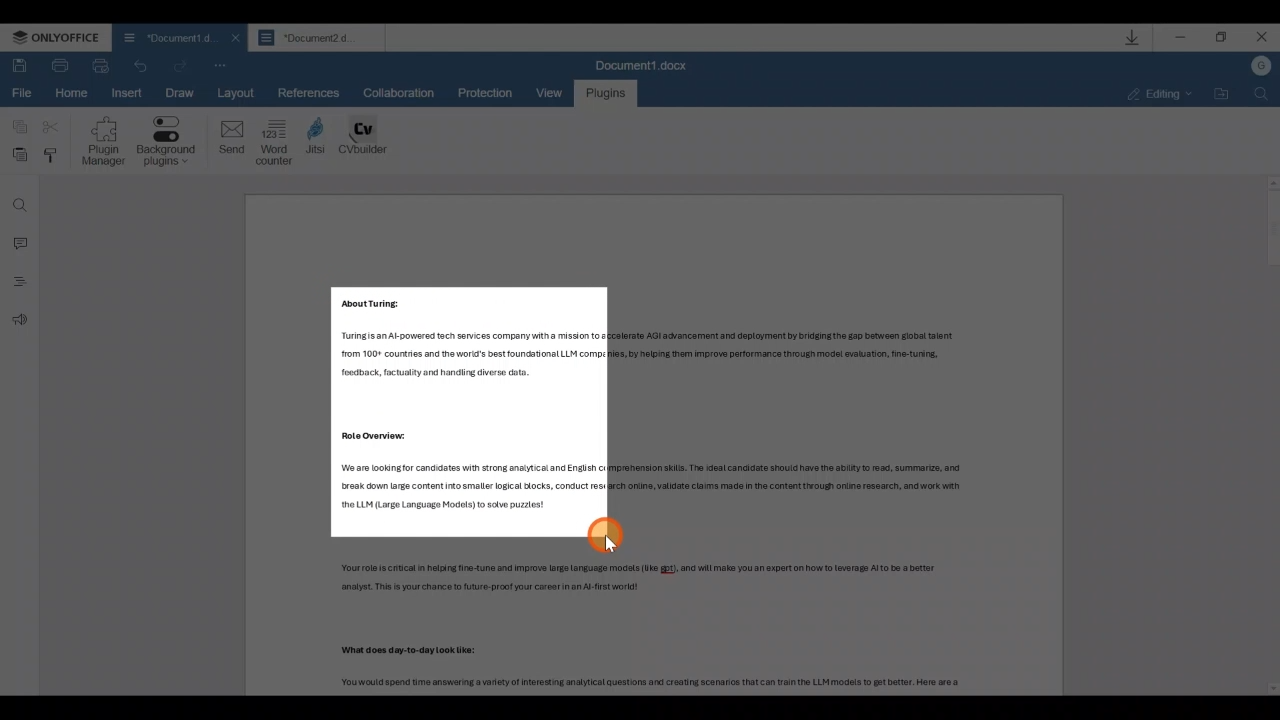 This screenshot has height=720, width=1280. I want to click on Layout, so click(241, 93).